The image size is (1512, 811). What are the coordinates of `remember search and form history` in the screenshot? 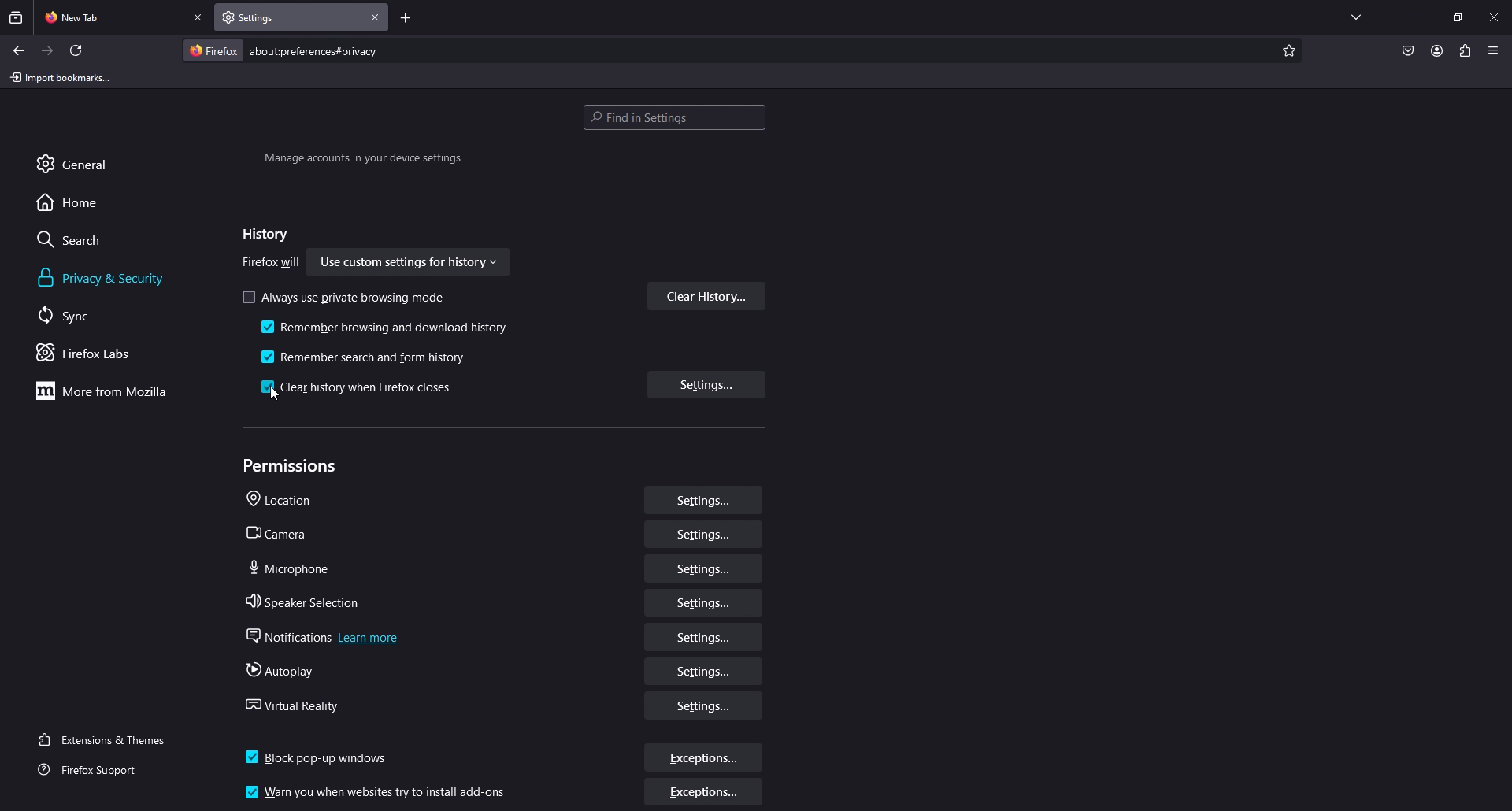 It's located at (369, 355).